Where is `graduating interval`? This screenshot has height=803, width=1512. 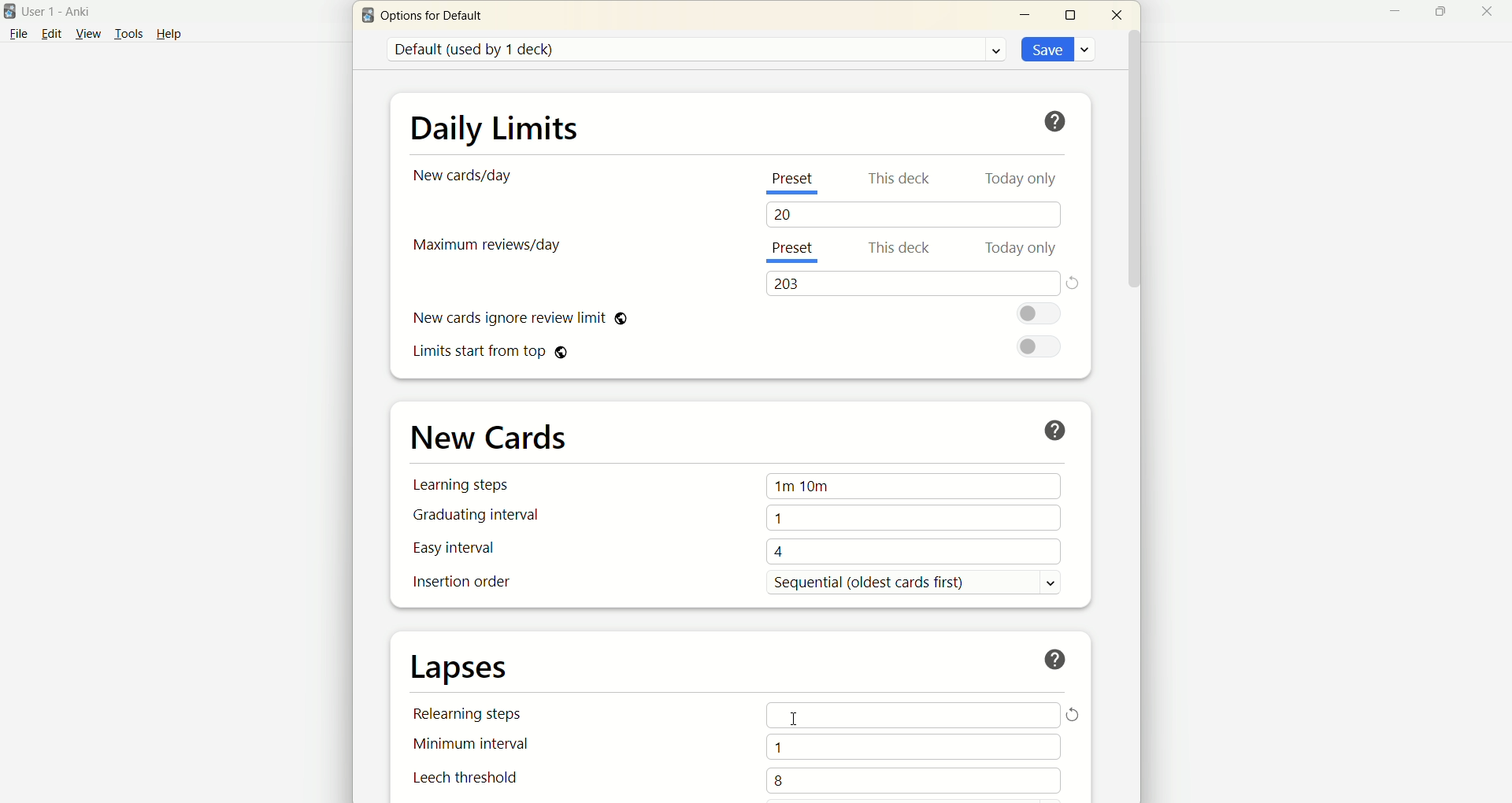 graduating interval is located at coordinates (473, 516).